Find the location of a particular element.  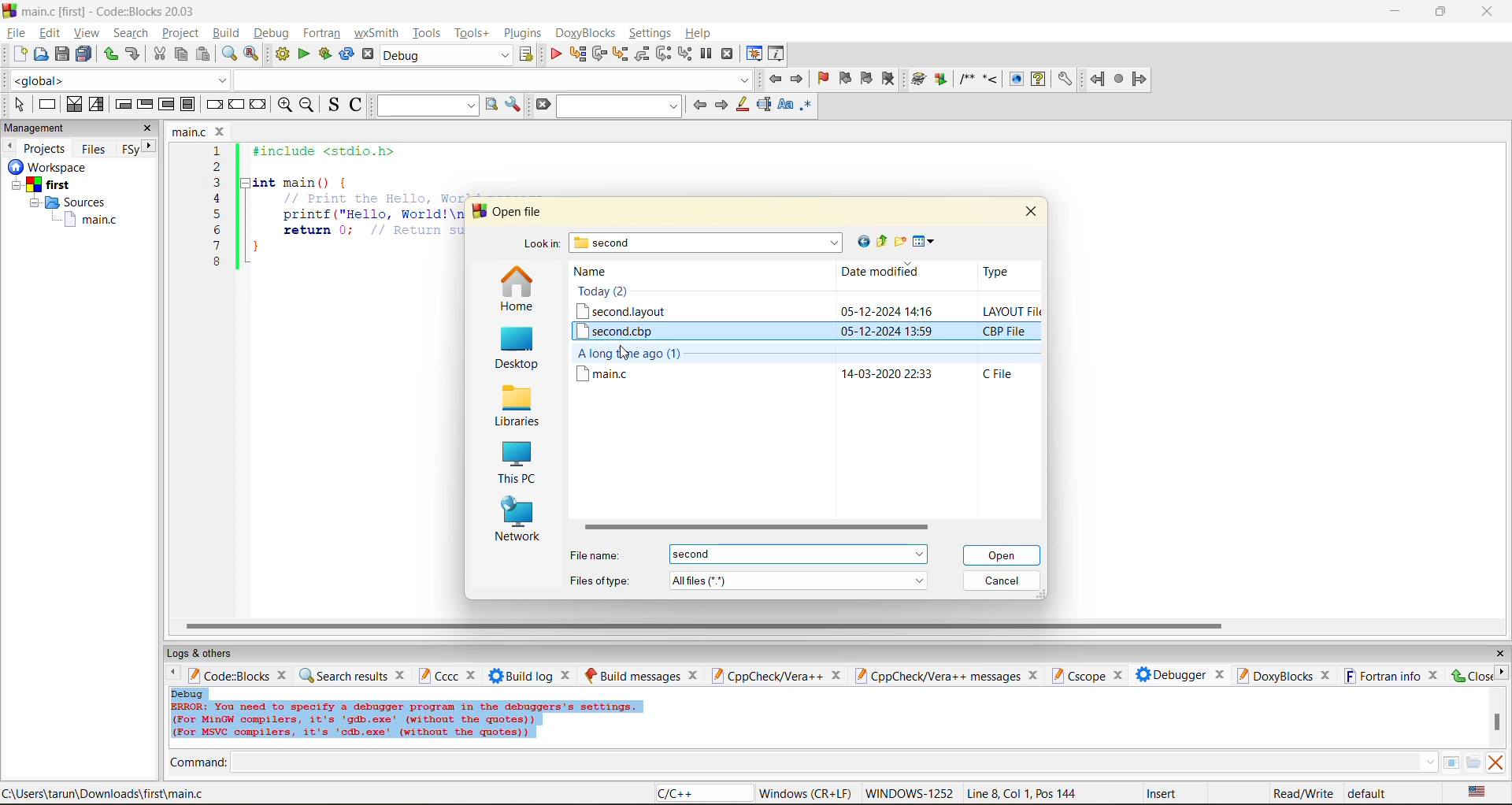

tools+ is located at coordinates (472, 33).